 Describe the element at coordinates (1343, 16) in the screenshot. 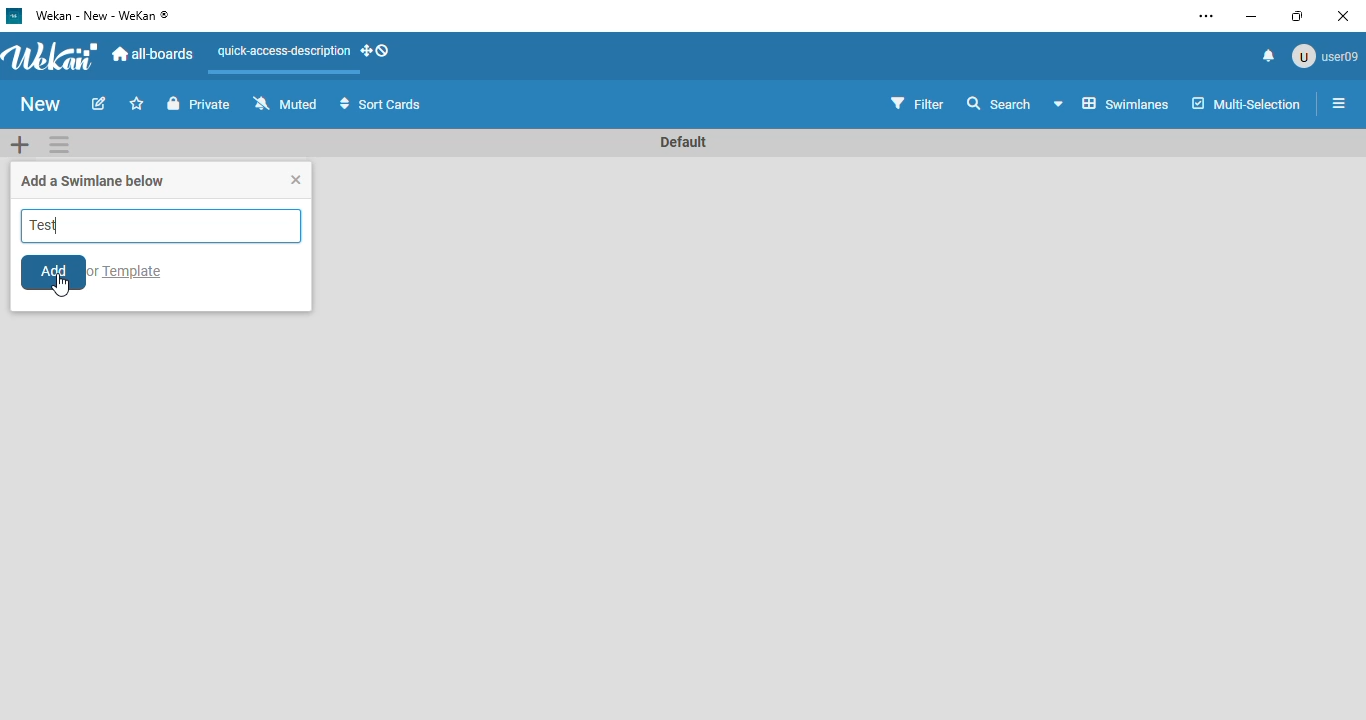

I see `close` at that location.